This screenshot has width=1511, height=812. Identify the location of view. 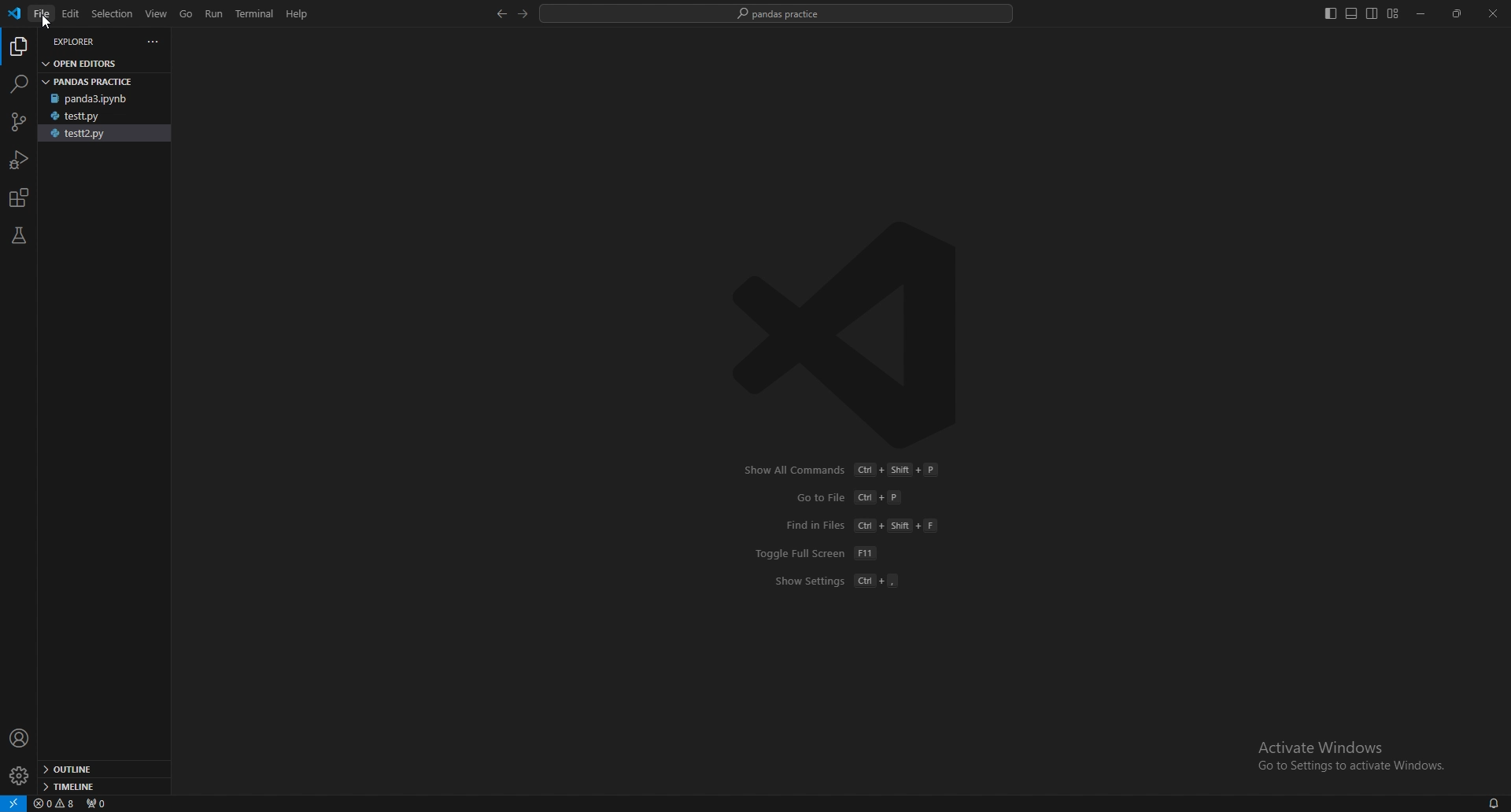
(157, 14).